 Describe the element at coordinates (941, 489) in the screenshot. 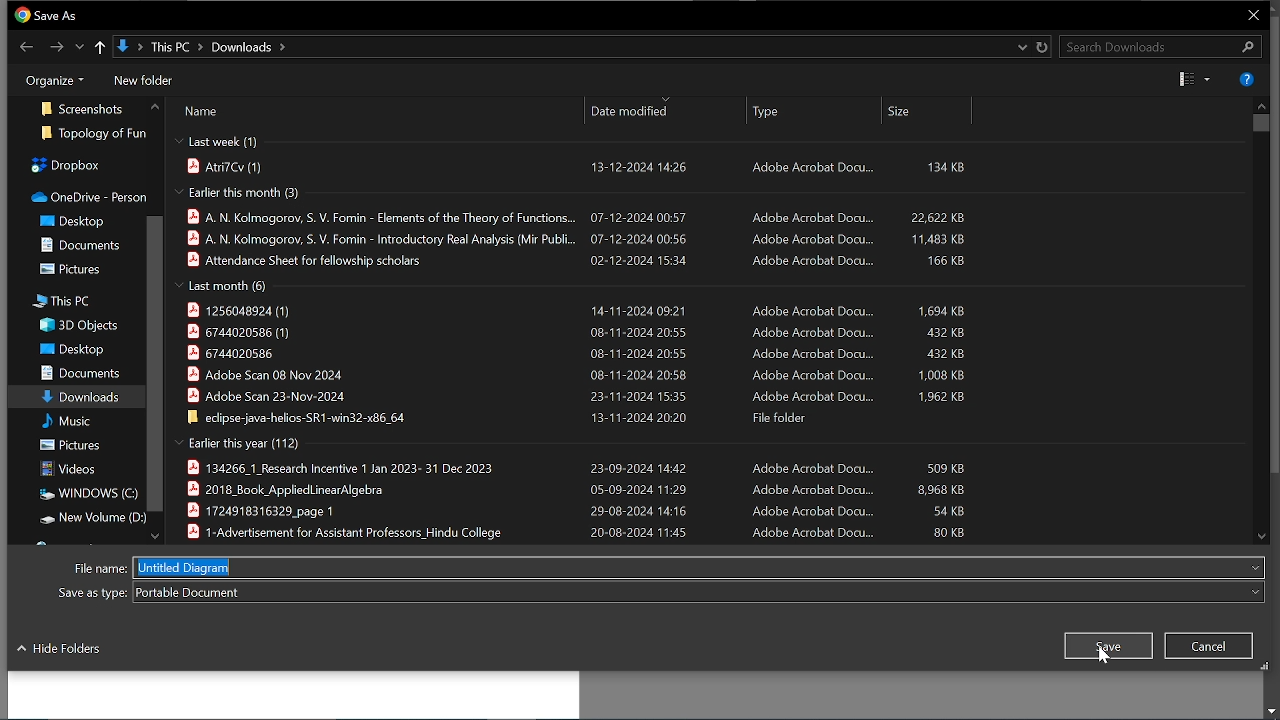

I see `8,968 KB` at that location.